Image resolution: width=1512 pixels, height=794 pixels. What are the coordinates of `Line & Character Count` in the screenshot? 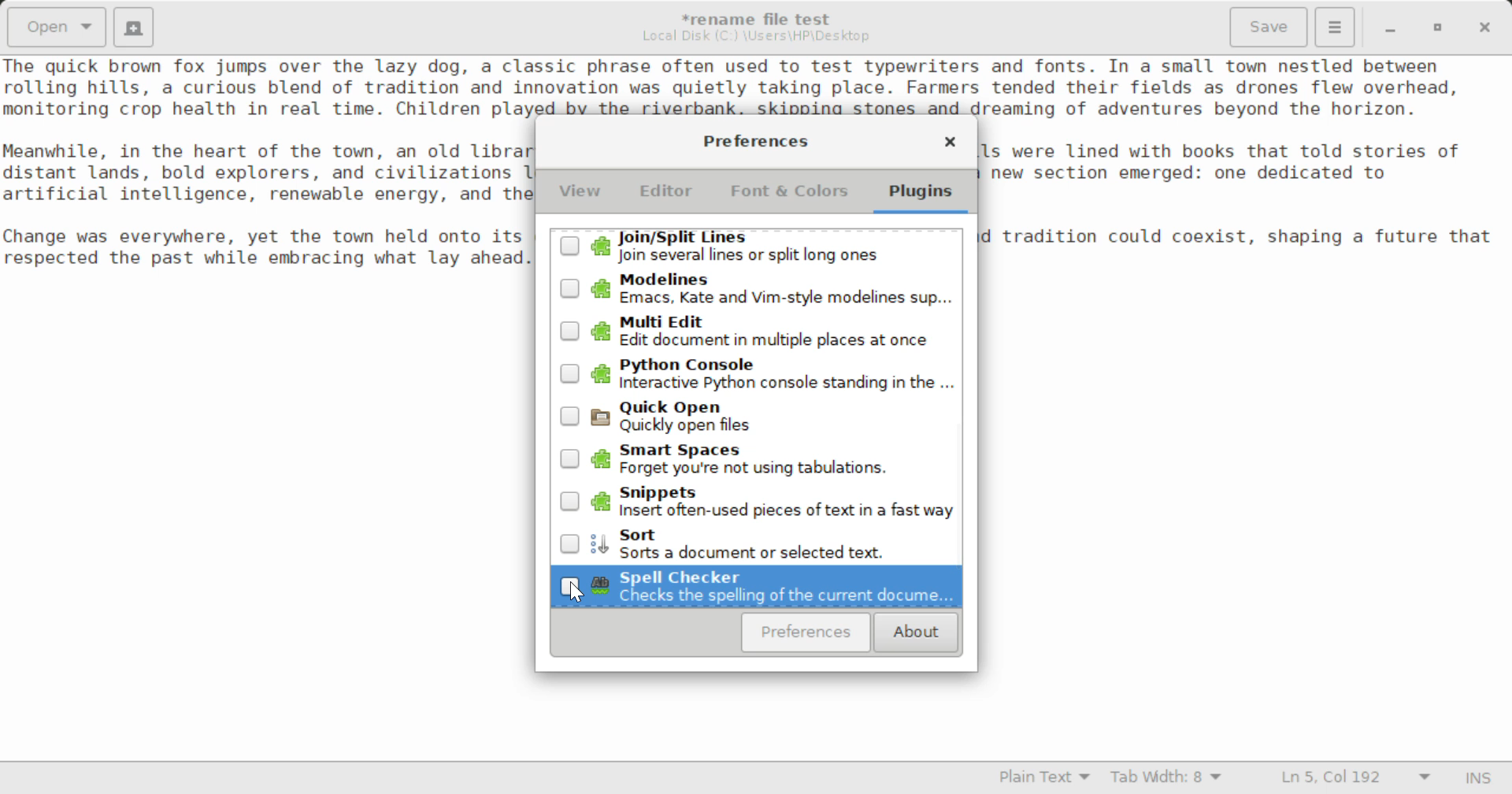 It's located at (1356, 779).